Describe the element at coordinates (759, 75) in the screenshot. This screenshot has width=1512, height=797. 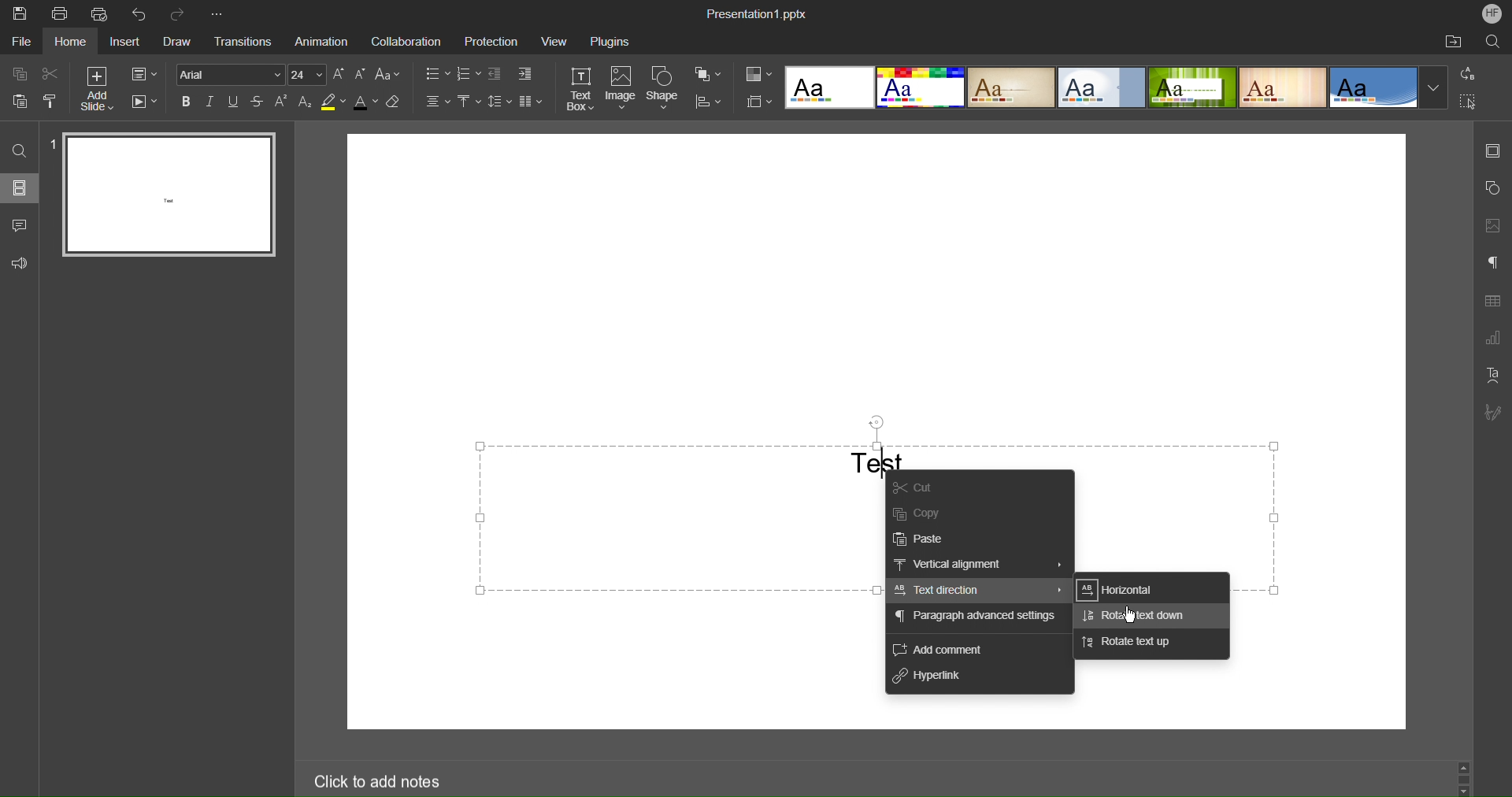
I see `Colors` at that location.